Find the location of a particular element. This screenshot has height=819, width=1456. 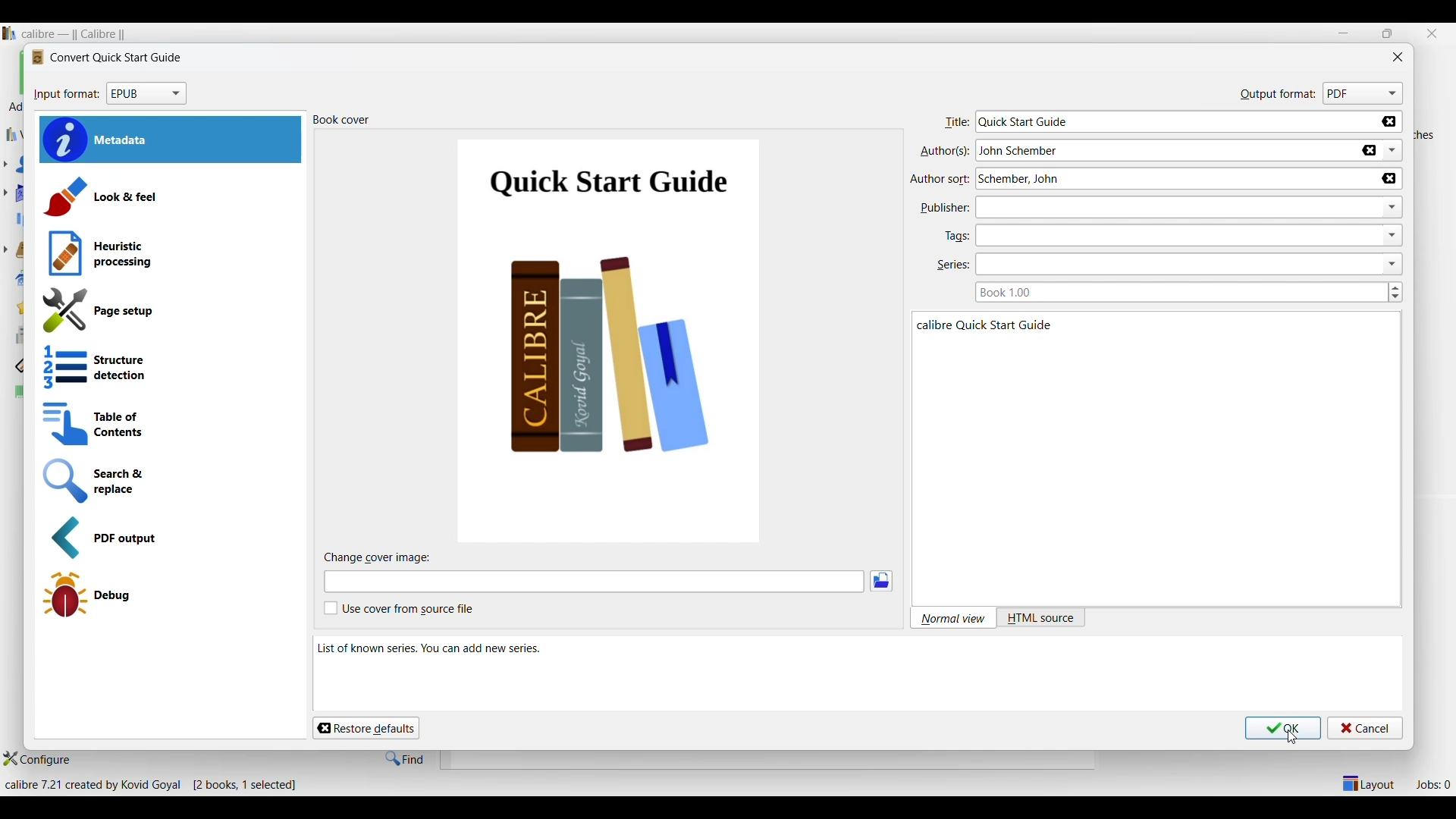

Save inputs is located at coordinates (1283, 729).